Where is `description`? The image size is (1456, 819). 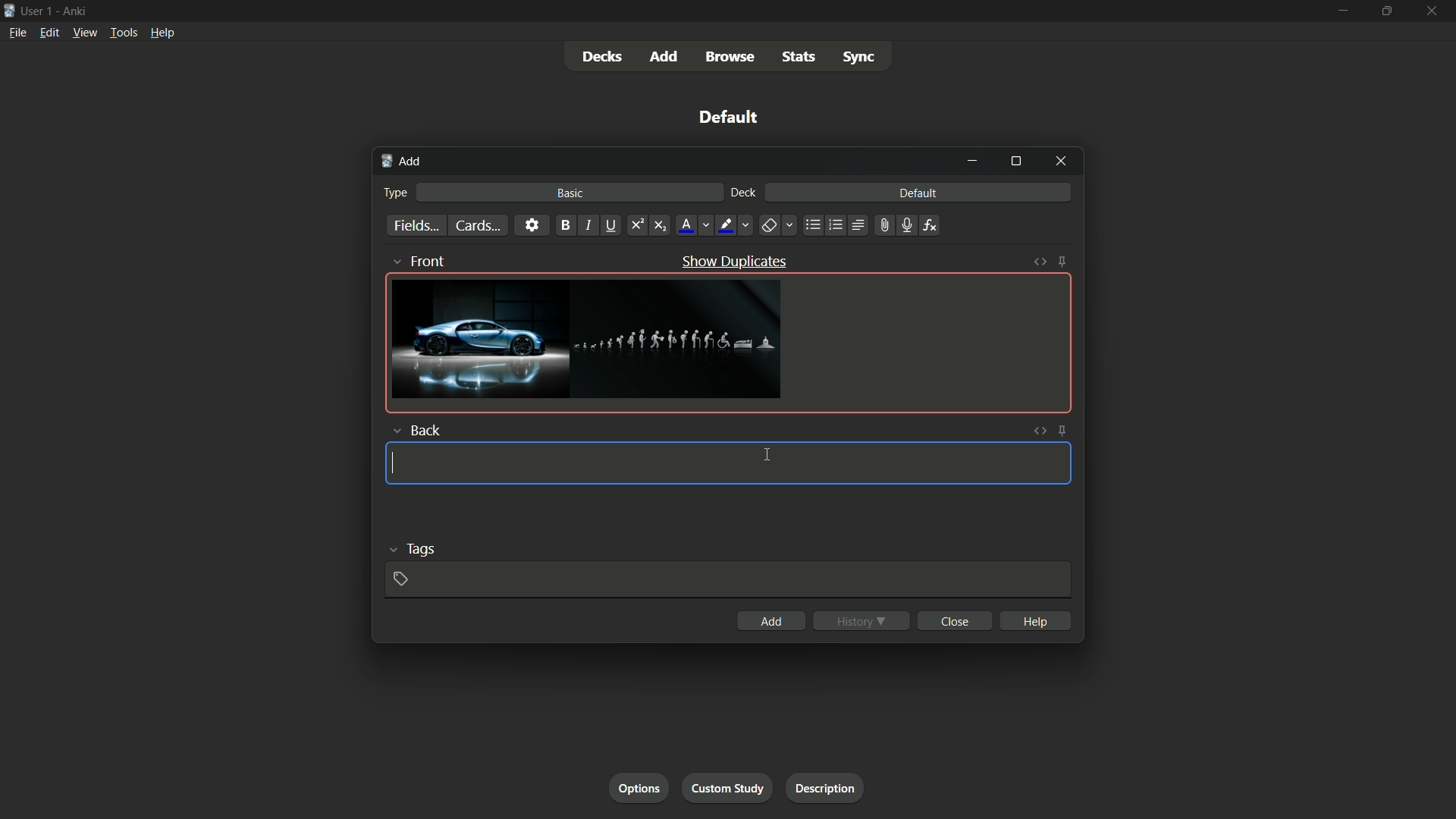 description is located at coordinates (822, 786).